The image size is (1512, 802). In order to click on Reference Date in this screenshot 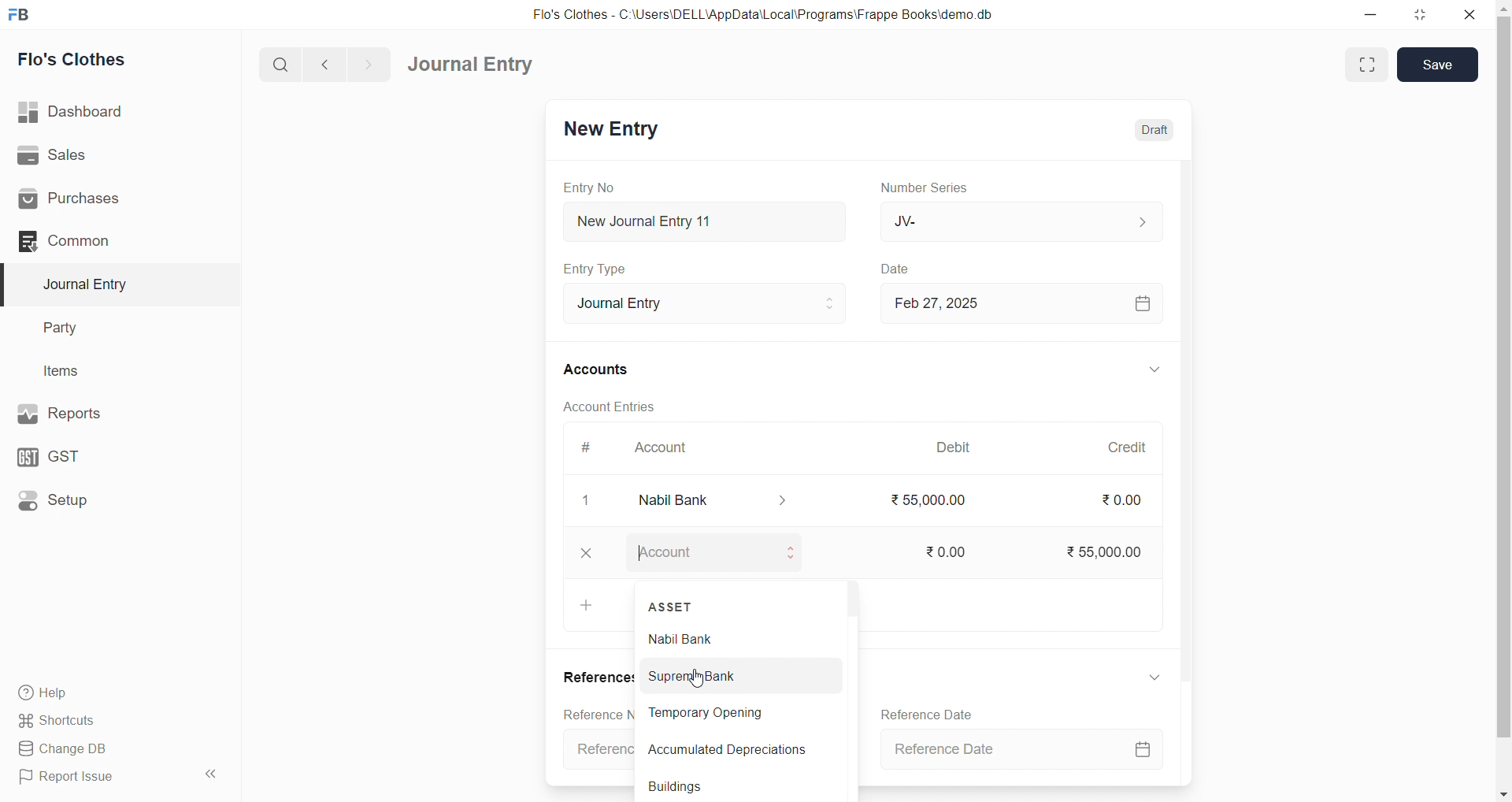, I will do `click(1026, 751)`.